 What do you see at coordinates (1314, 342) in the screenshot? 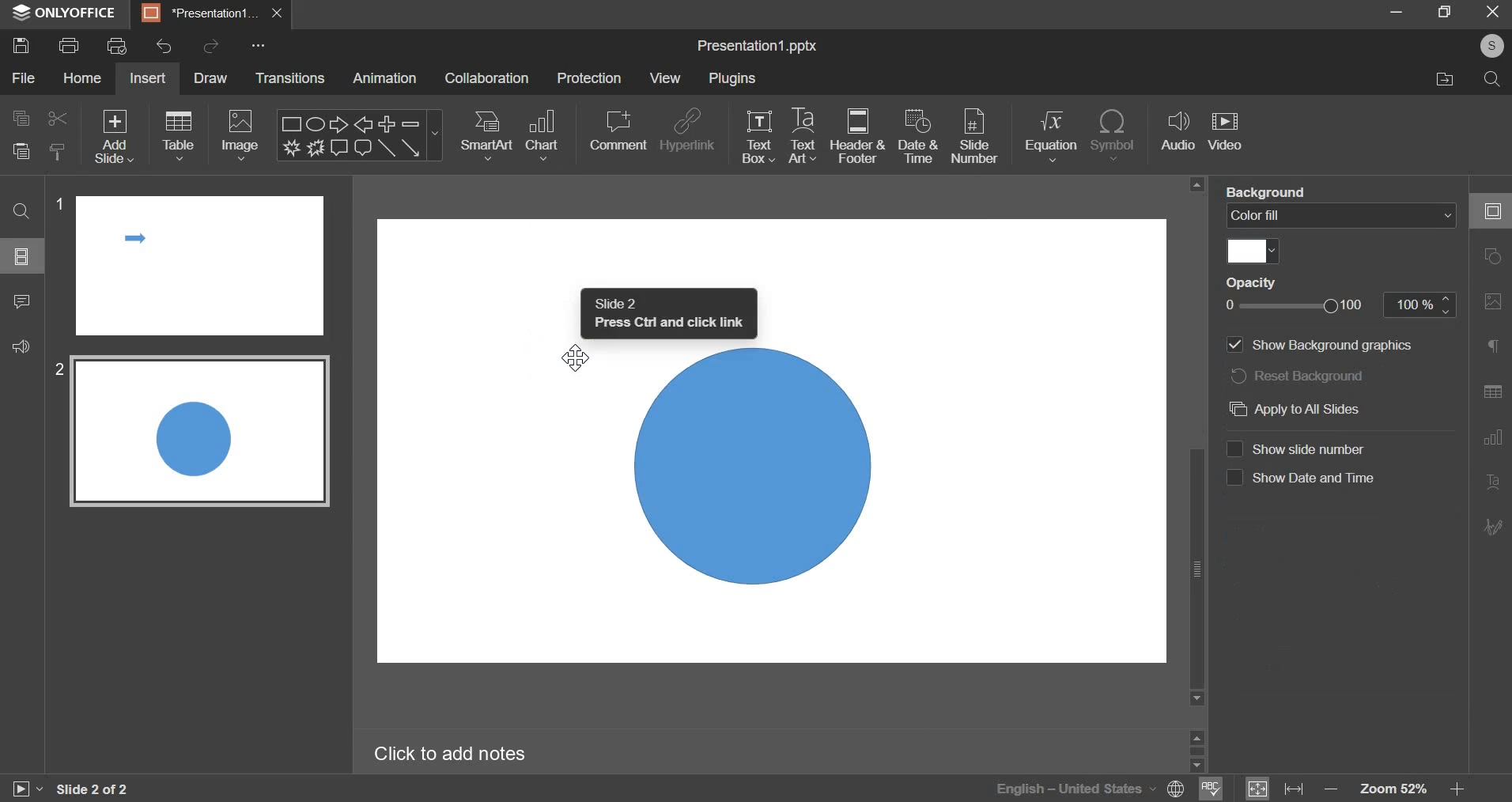
I see `Show background graphics` at bounding box center [1314, 342].